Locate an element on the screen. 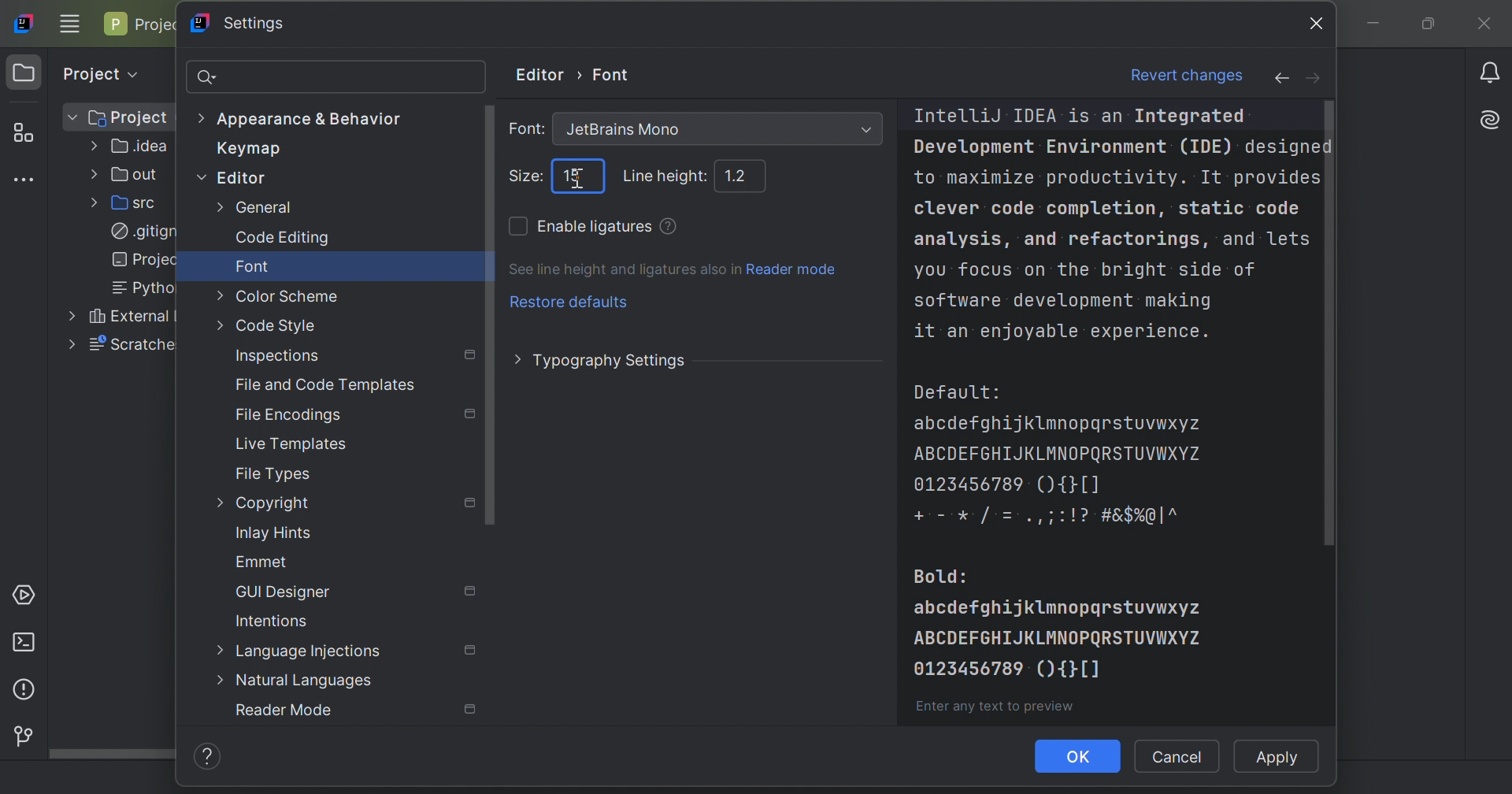 This screenshot has width=1512, height=794. GUI Designer is located at coordinates (284, 592).